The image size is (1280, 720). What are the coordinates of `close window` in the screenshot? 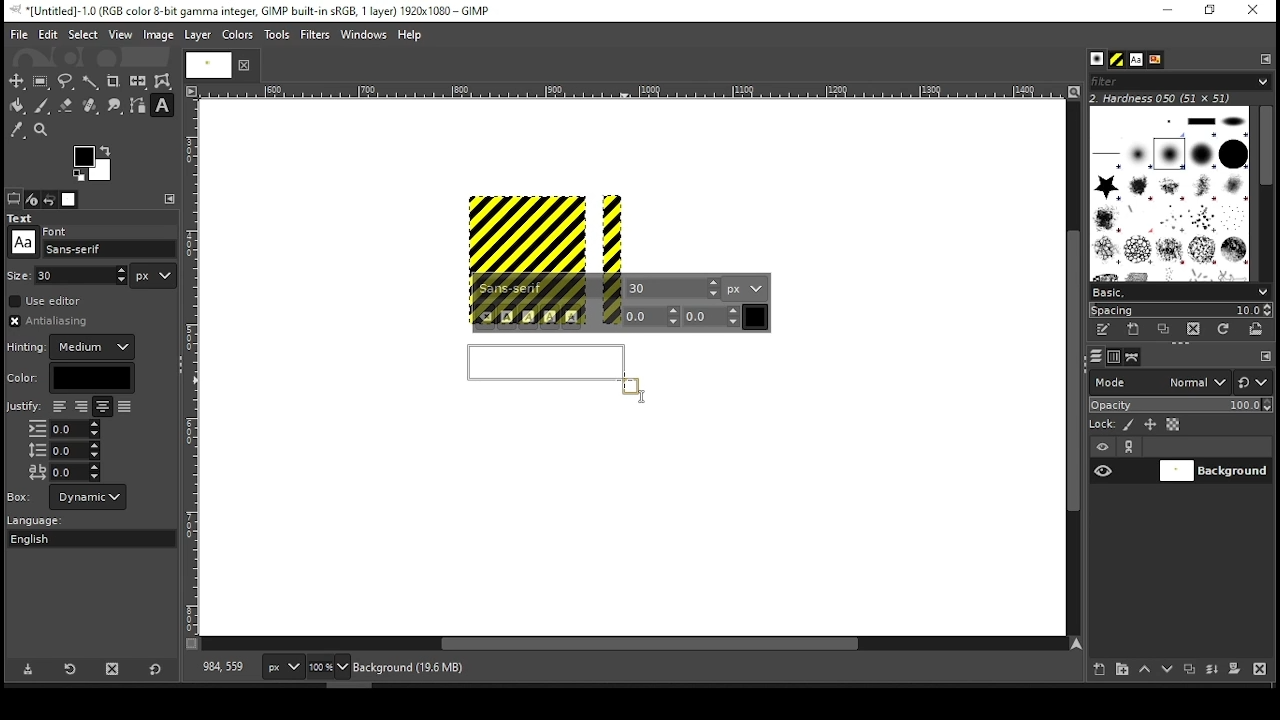 It's located at (1252, 11).